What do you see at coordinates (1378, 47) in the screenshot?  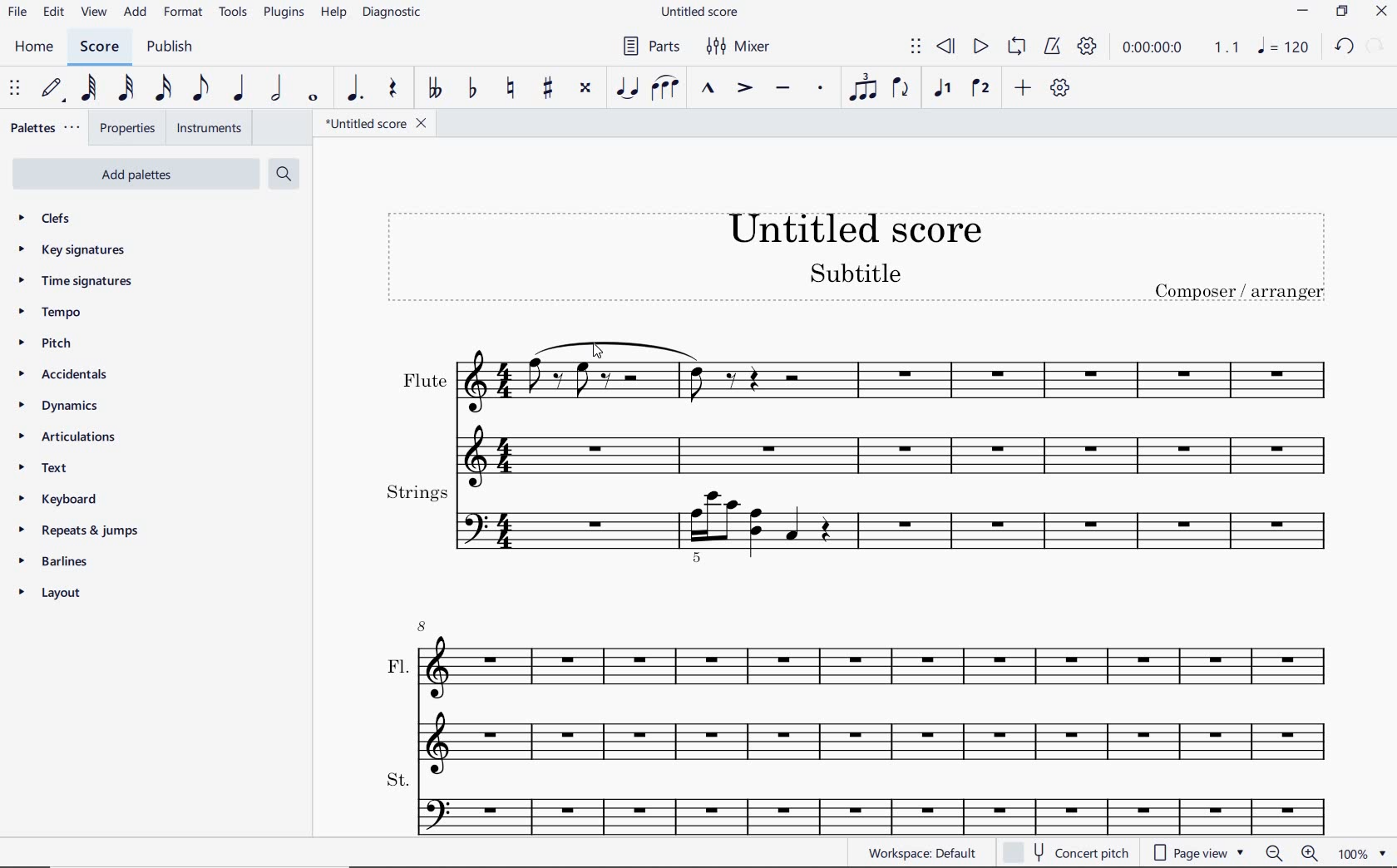 I see `redo` at bounding box center [1378, 47].